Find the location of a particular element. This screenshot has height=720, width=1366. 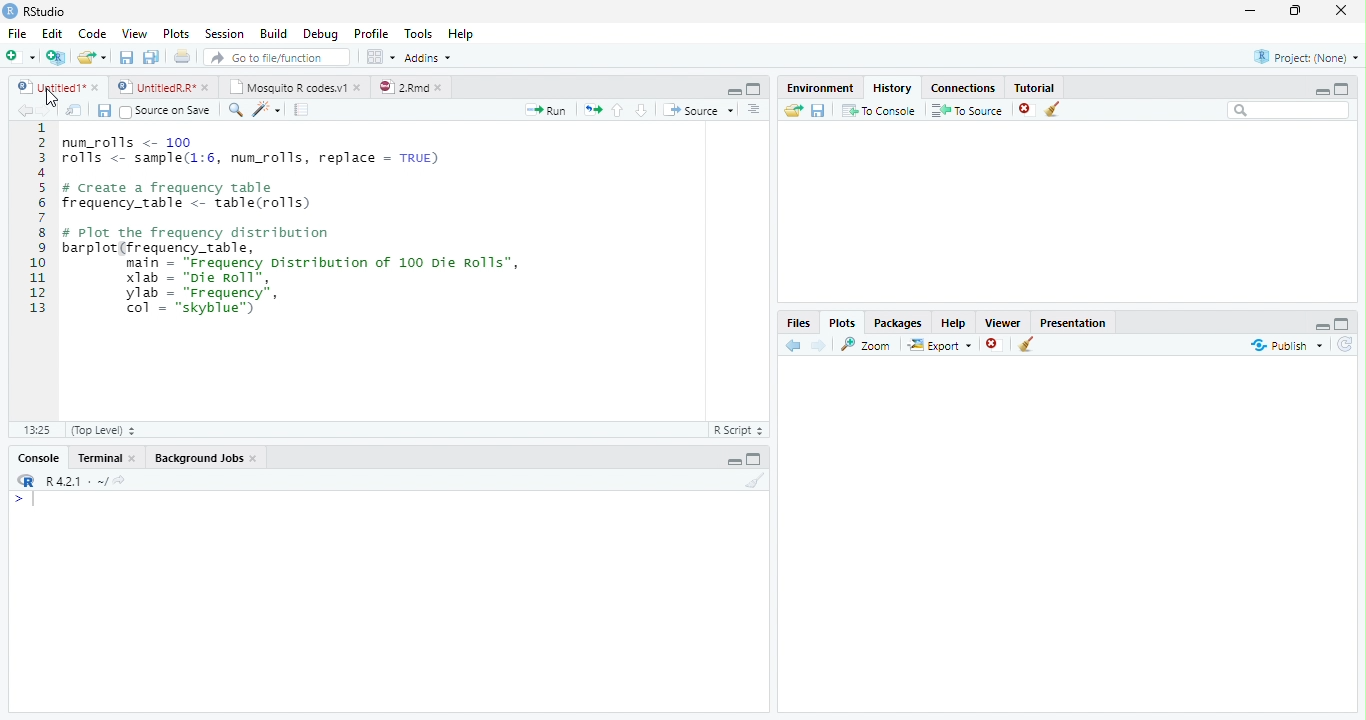

R R421 - ~/ is located at coordinates (69, 481).